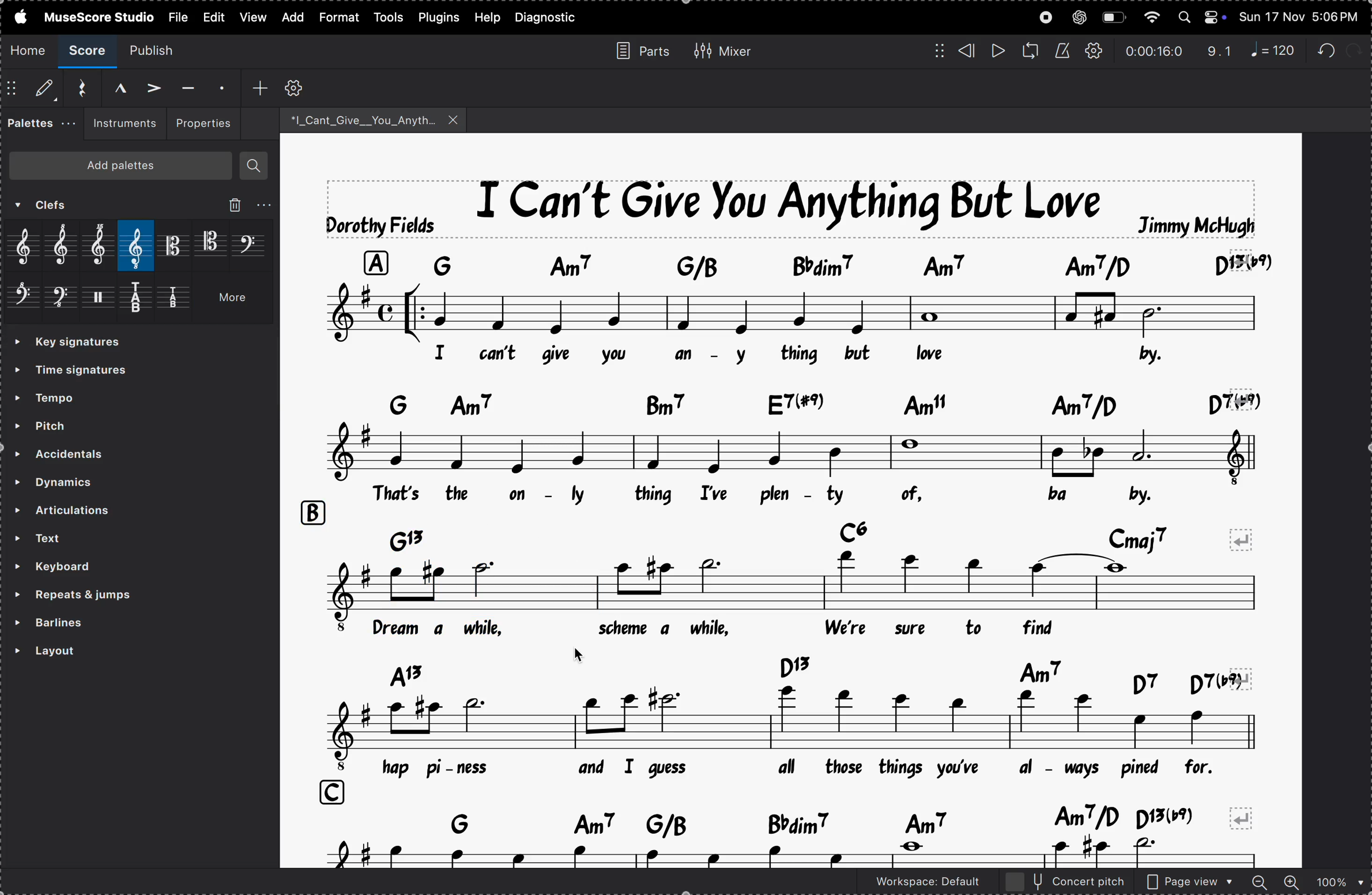  Describe the element at coordinates (118, 538) in the screenshot. I see `text` at that location.